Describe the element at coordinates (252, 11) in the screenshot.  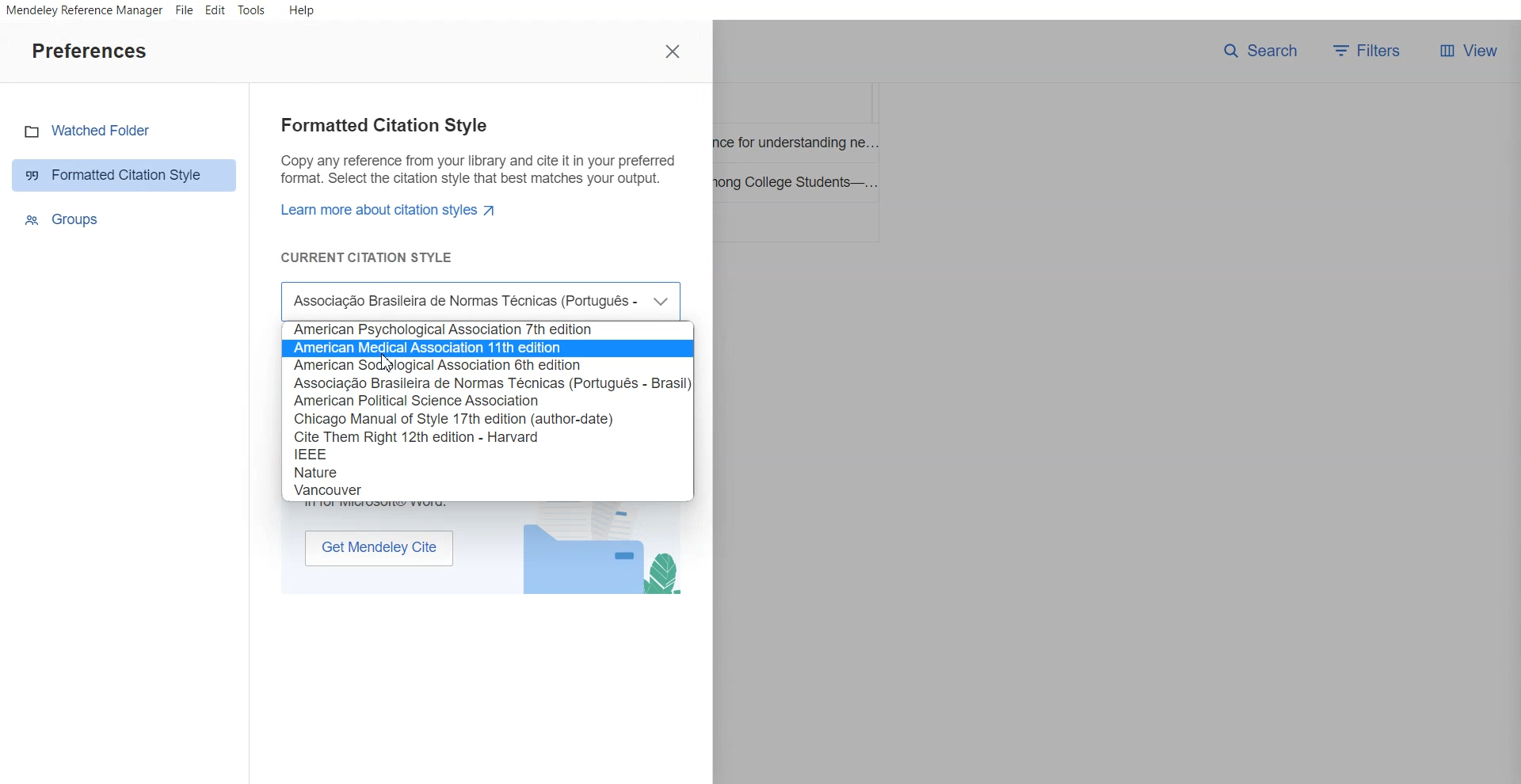
I see `Tools` at that location.